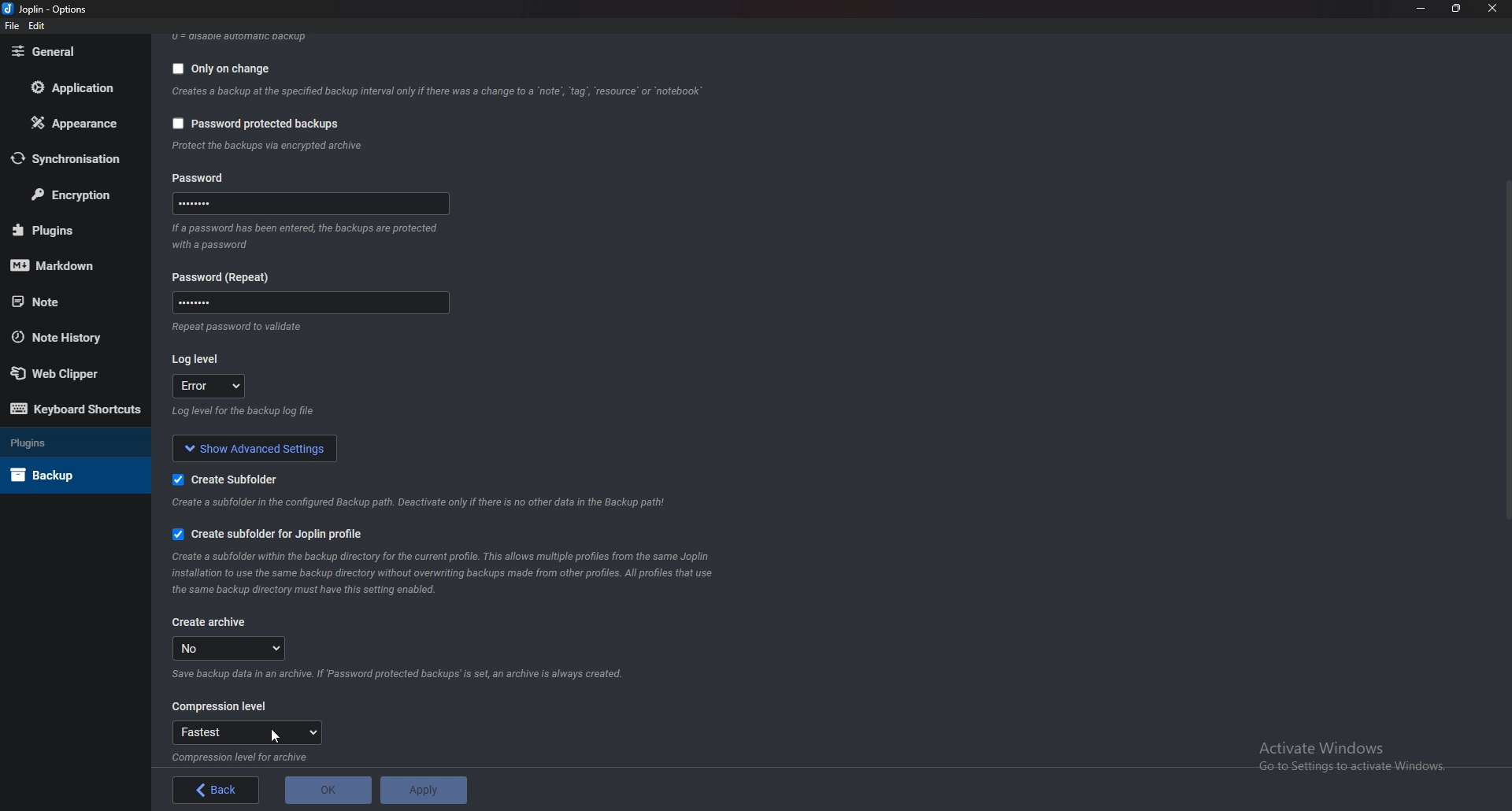 The width and height of the screenshot is (1512, 811). Describe the element at coordinates (219, 789) in the screenshot. I see `back` at that location.